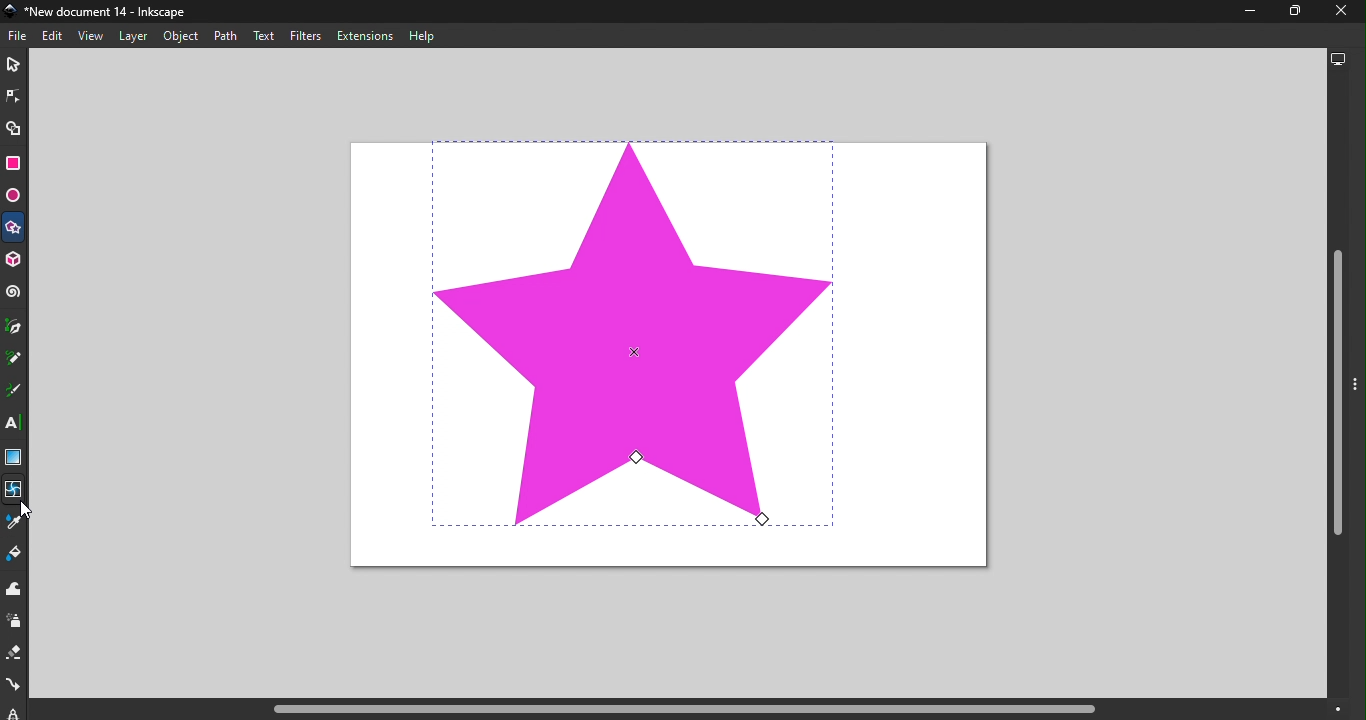  Describe the element at coordinates (364, 36) in the screenshot. I see `Extensions` at that location.